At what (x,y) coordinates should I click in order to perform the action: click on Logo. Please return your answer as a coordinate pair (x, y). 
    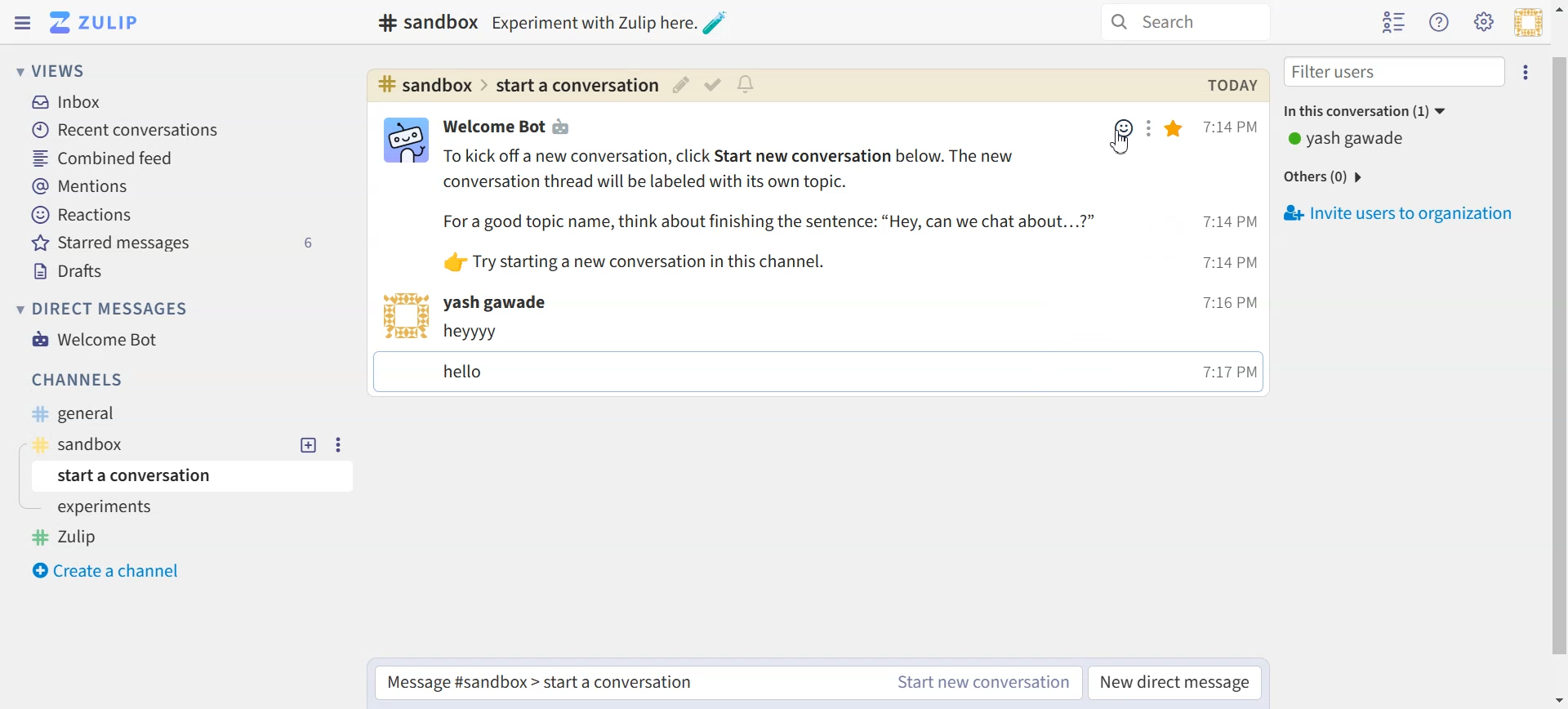
    Looking at the image, I should click on (93, 22).